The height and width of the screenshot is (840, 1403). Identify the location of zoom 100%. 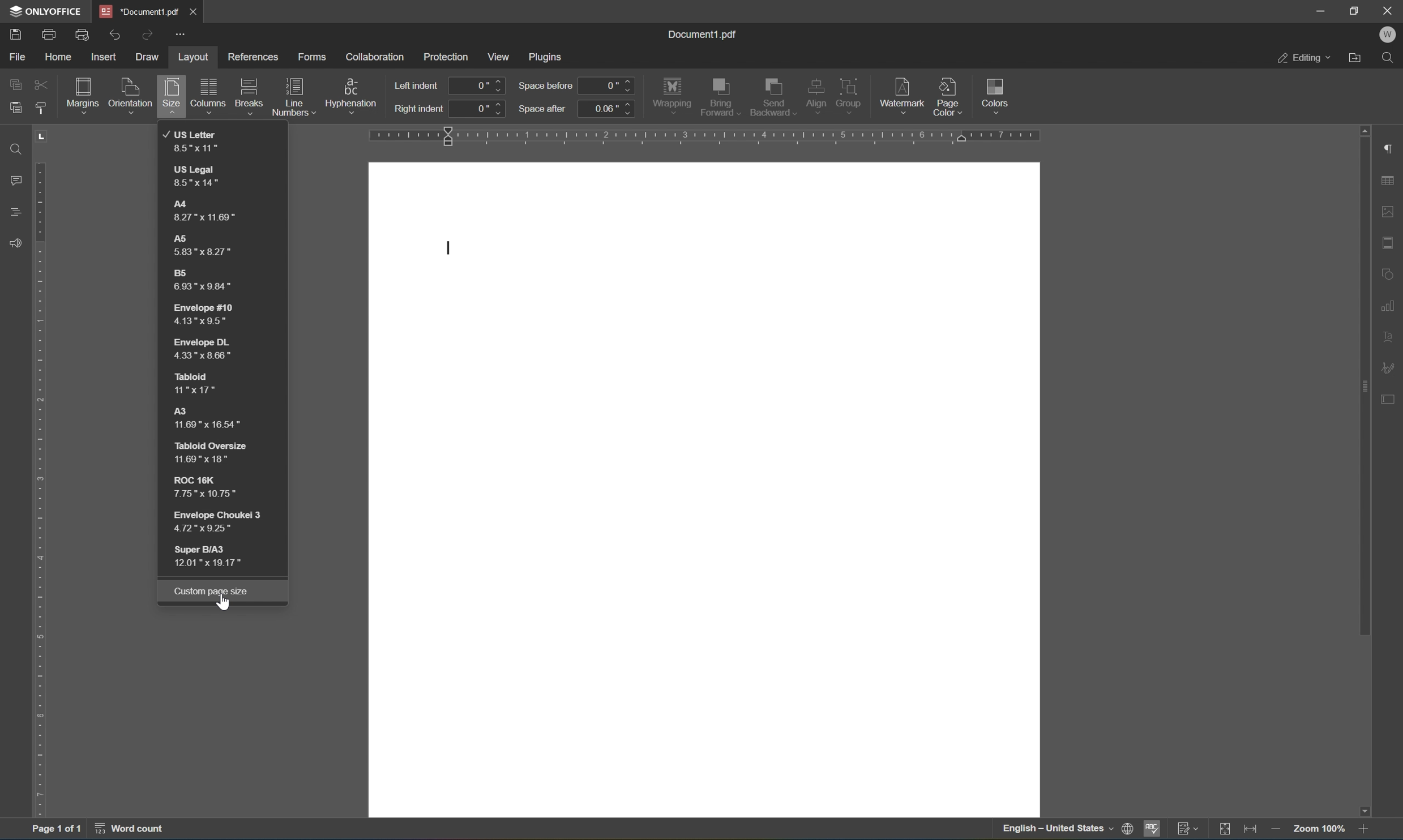
(1316, 830).